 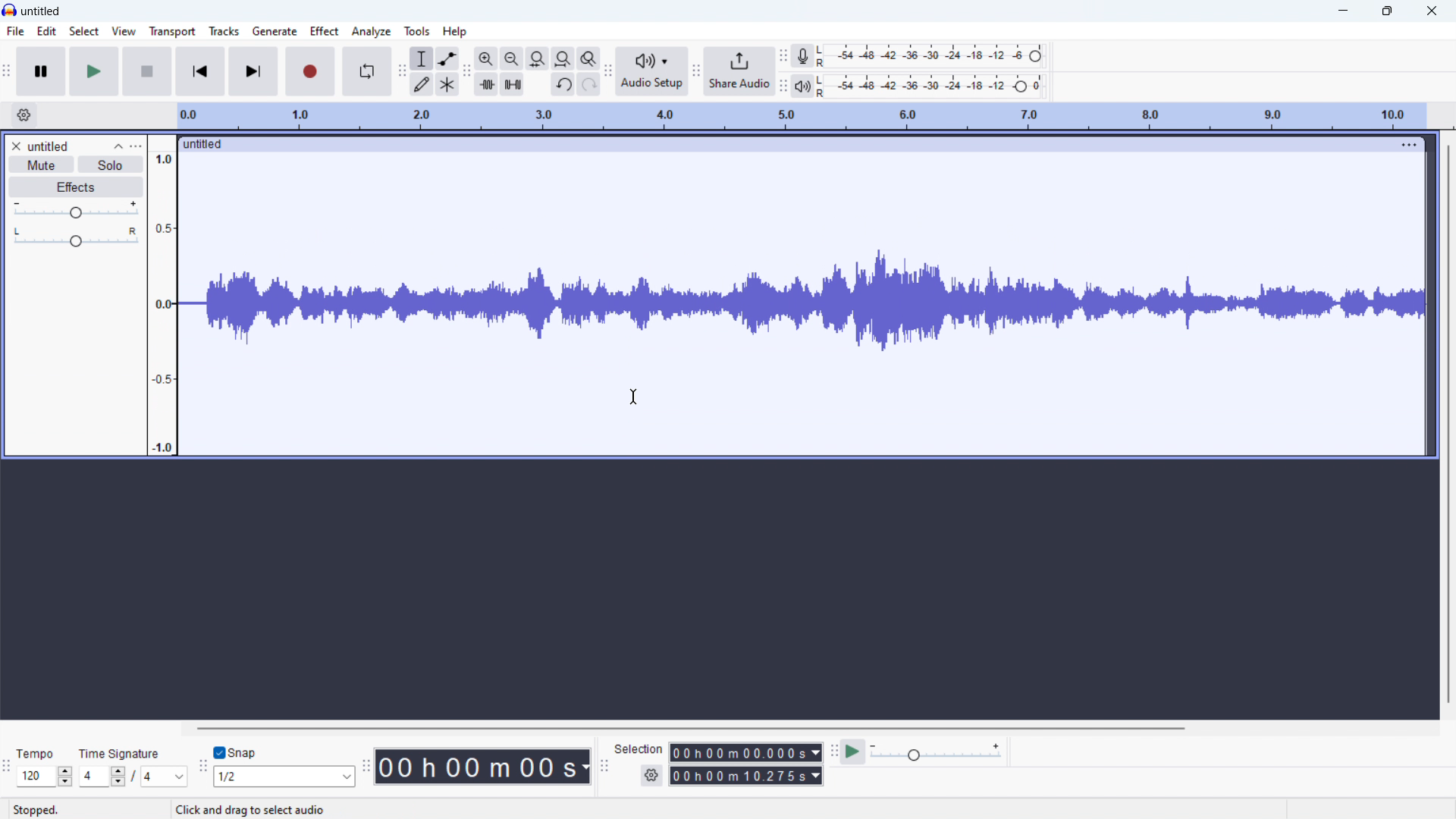 I want to click on Edit, so click(x=46, y=30).